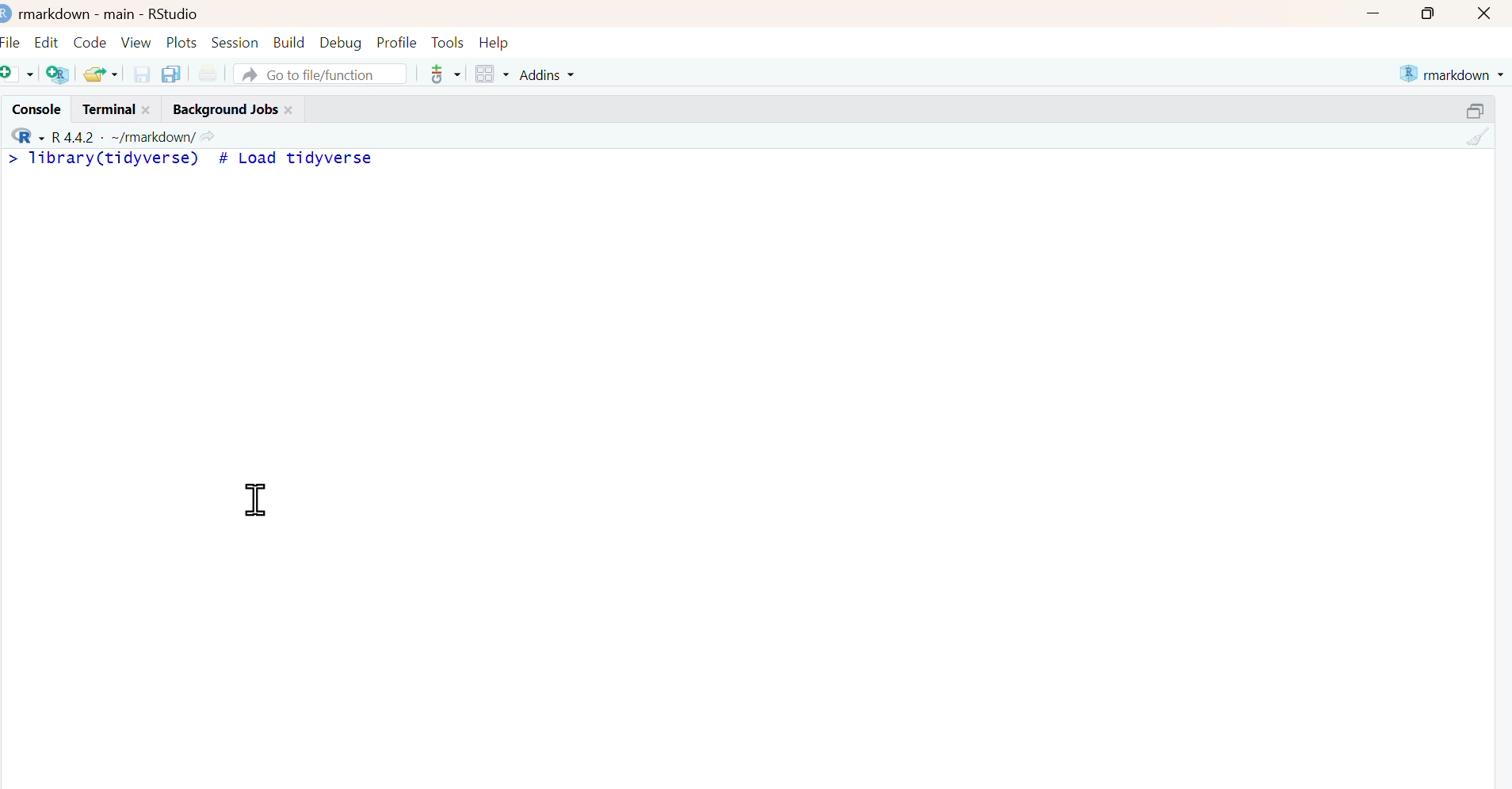 The image size is (1512, 789). What do you see at coordinates (74, 135) in the screenshot?
I see `R 4.4.2` at bounding box center [74, 135].